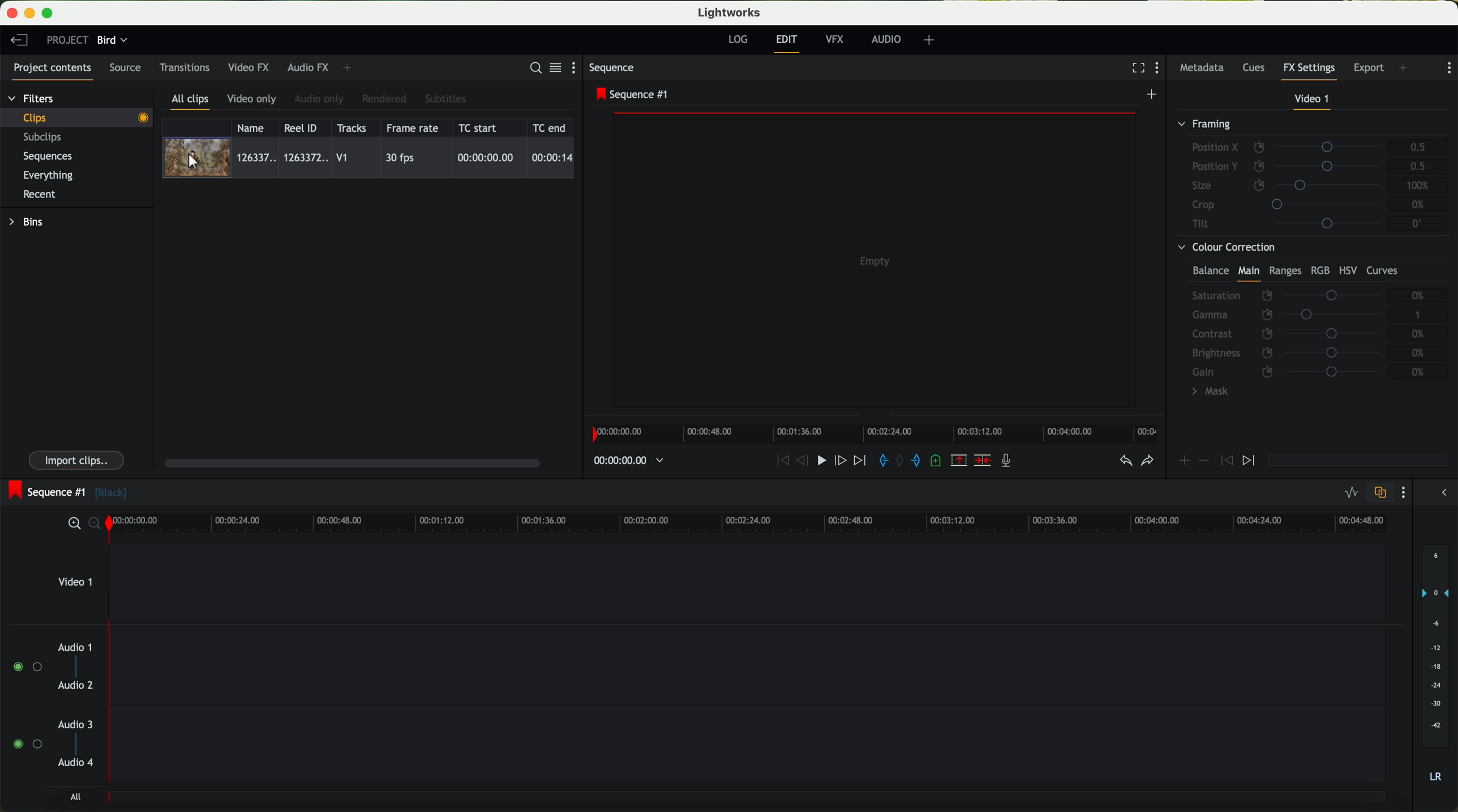  I want to click on subclips, so click(45, 138).